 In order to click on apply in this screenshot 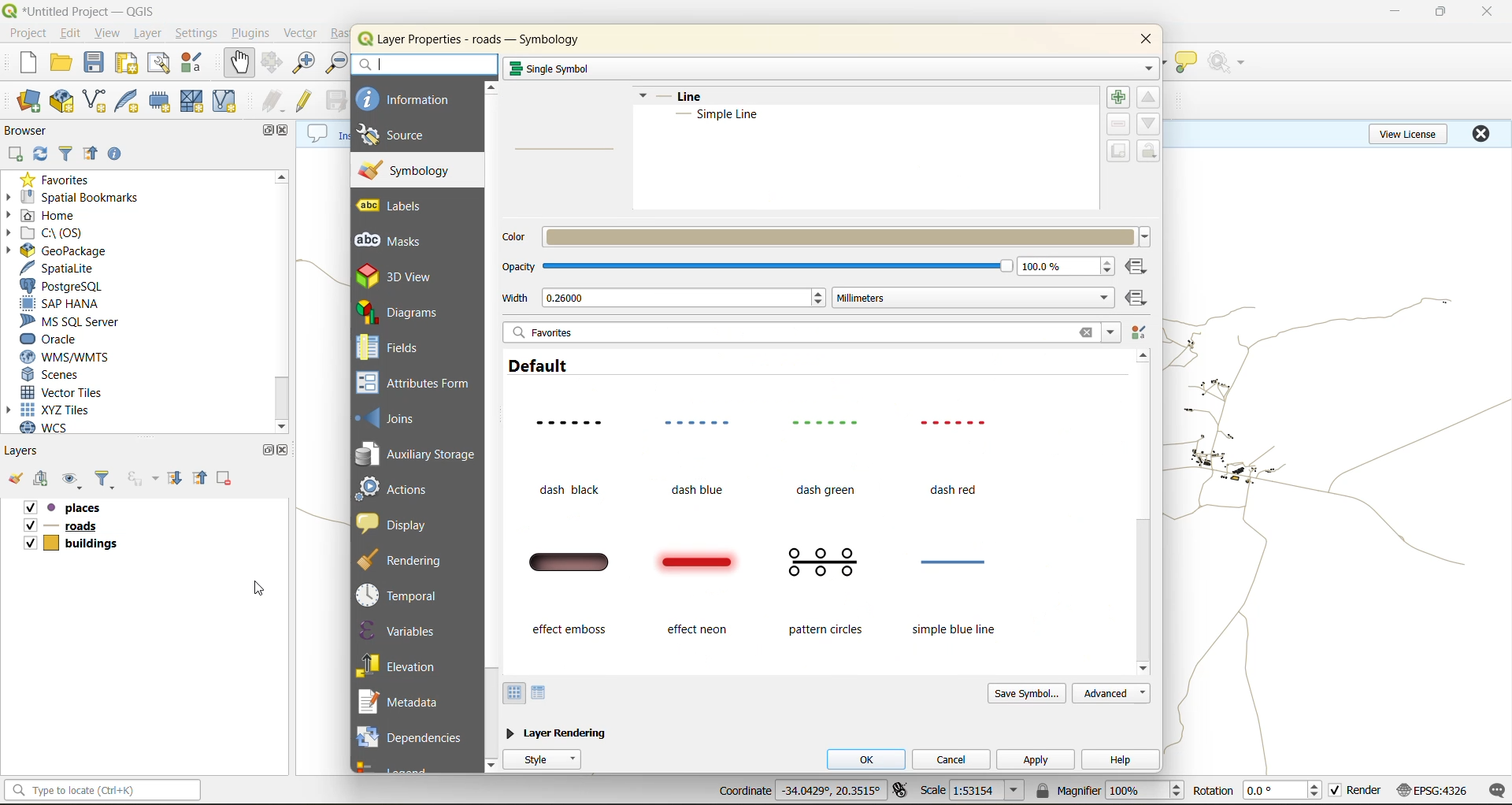, I will do `click(1038, 759)`.